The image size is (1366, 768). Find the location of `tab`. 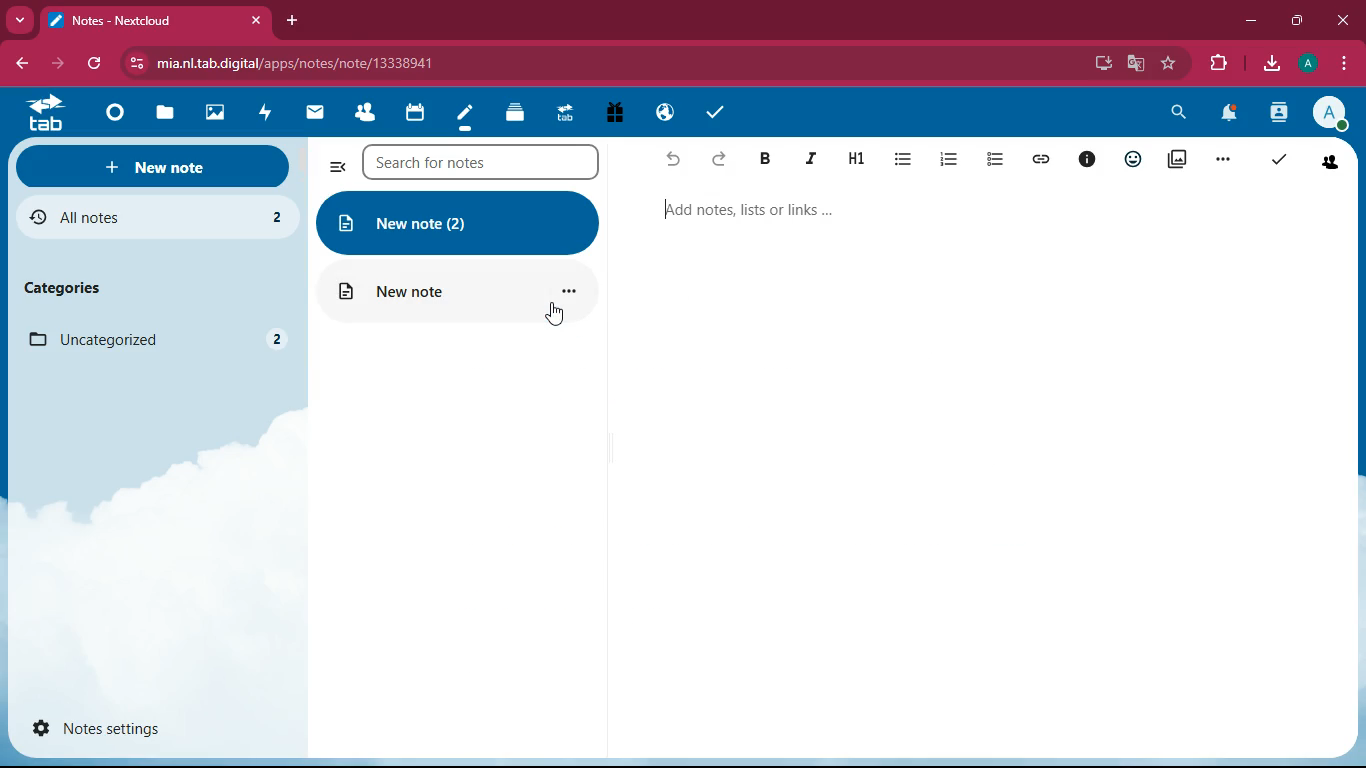

tab is located at coordinates (43, 114).